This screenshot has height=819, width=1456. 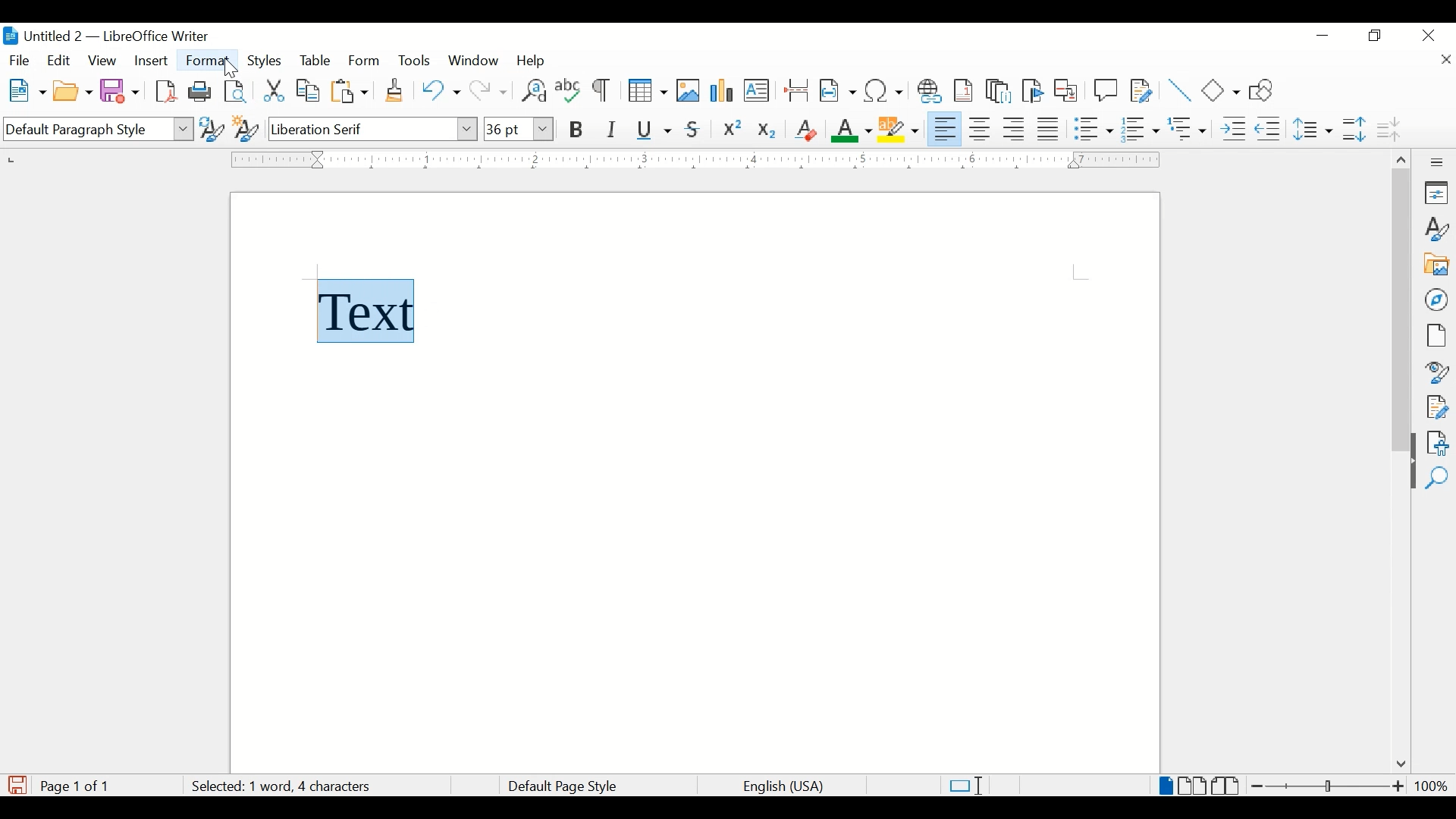 What do you see at coordinates (999, 91) in the screenshot?
I see `insert endnote` at bounding box center [999, 91].